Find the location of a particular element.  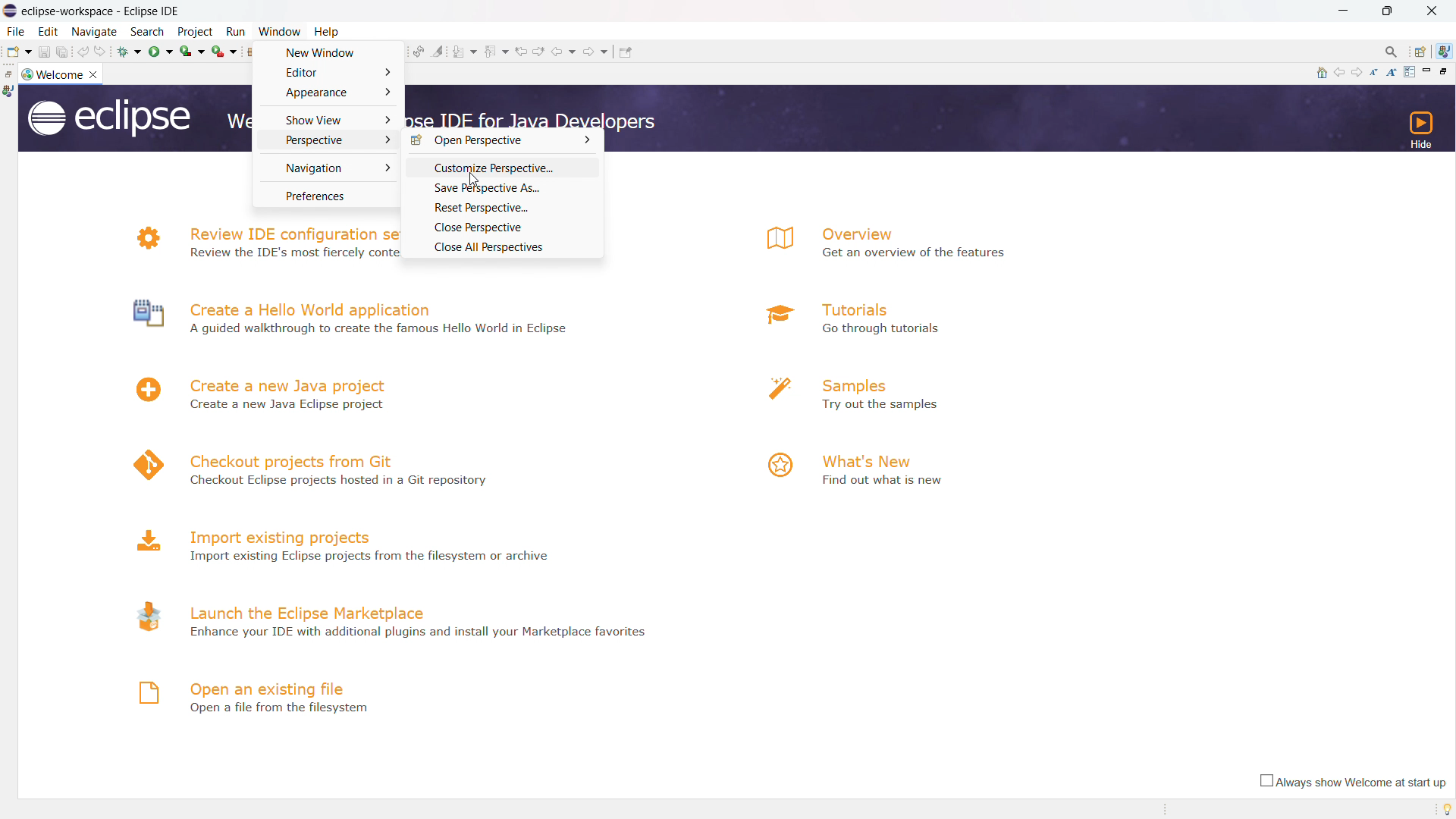

appearance is located at coordinates (326, 92).